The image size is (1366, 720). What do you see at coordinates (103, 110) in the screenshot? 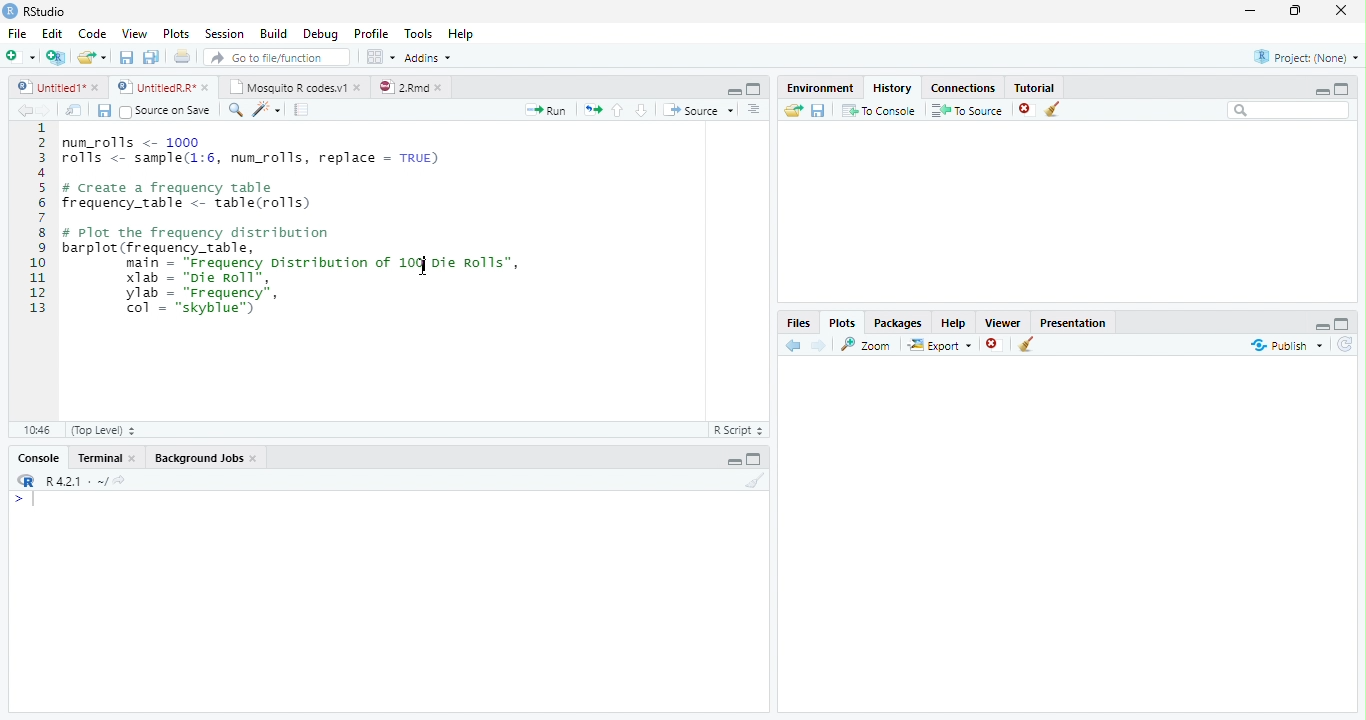
I see `Save` at bounding box center [103, 110].